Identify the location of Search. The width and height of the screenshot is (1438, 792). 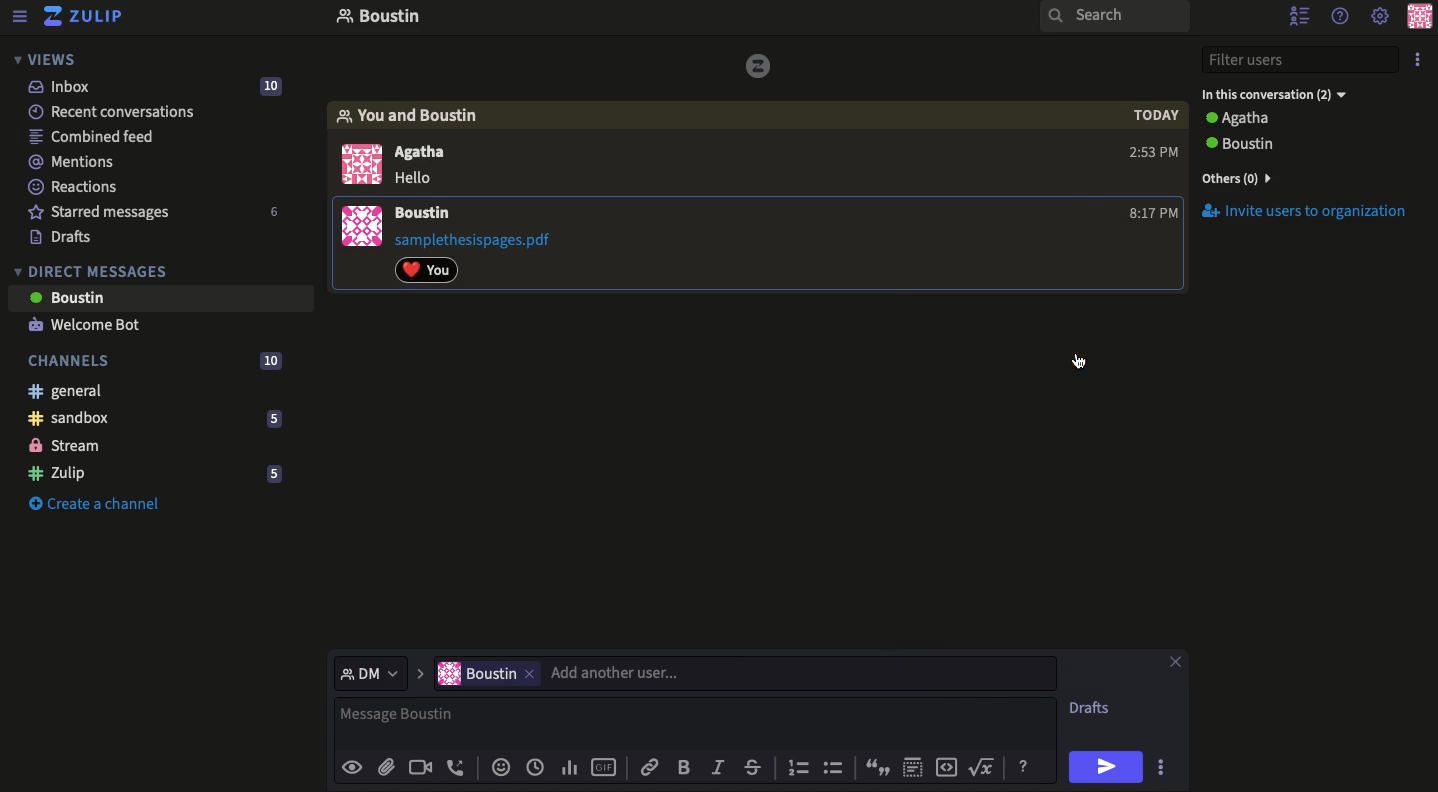
(1115, 18).